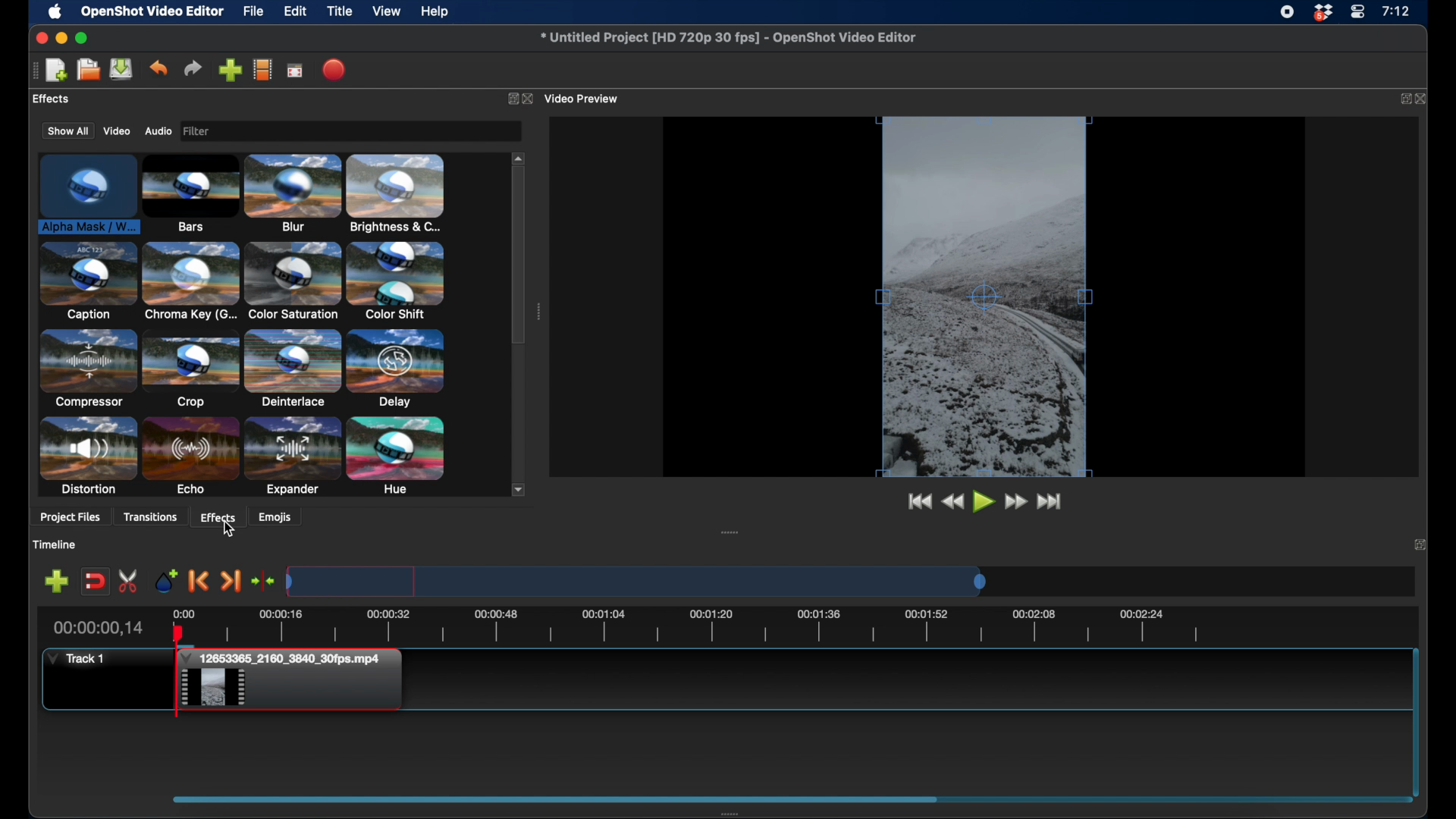 The image size is (1456, 819). I want to click on echo, so click(190, 457).